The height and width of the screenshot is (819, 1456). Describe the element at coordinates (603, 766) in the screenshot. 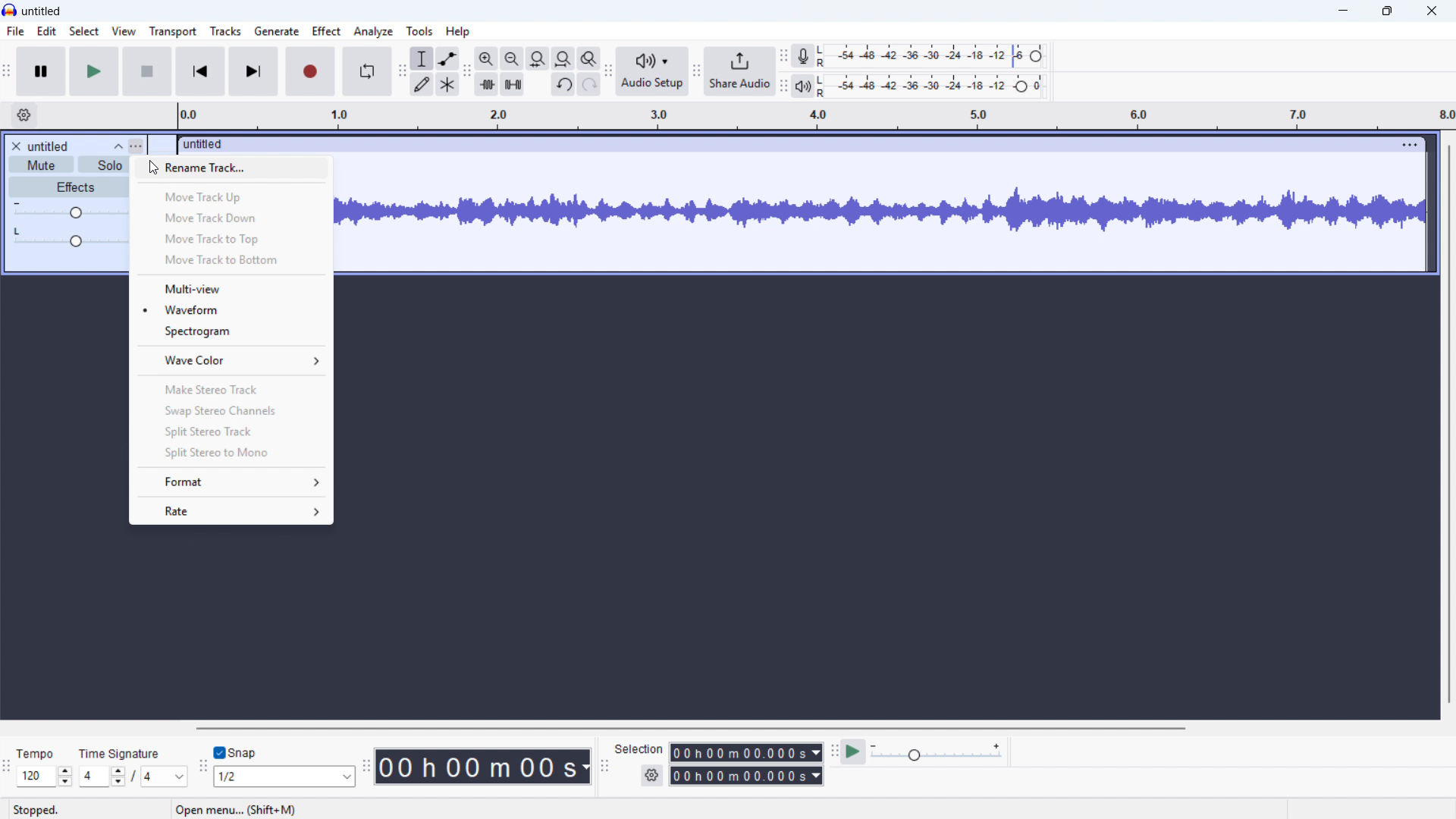

I see `Selection toolbar ` at that location.